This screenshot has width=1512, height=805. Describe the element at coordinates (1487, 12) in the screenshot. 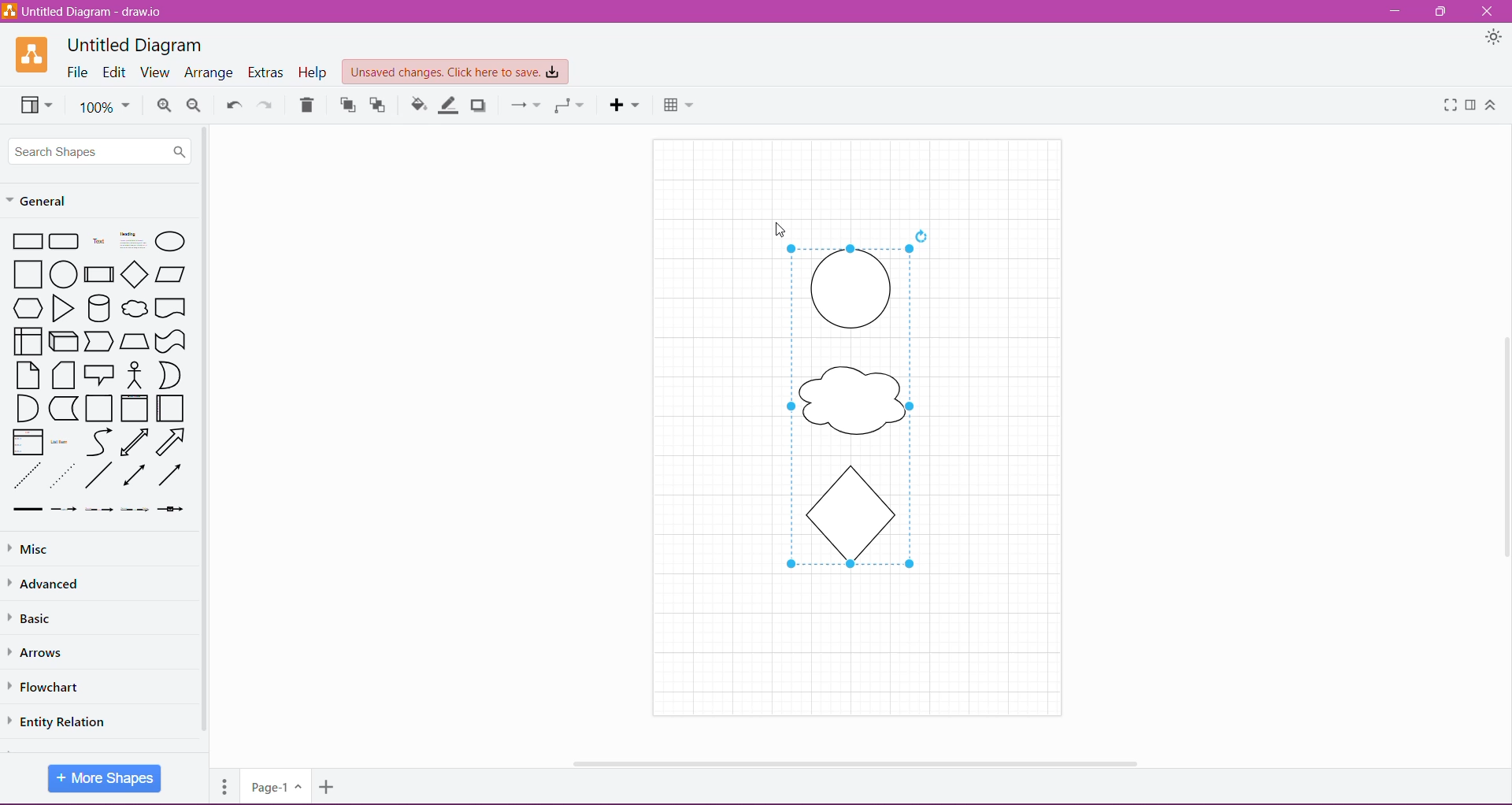

I see `Close` at that location.